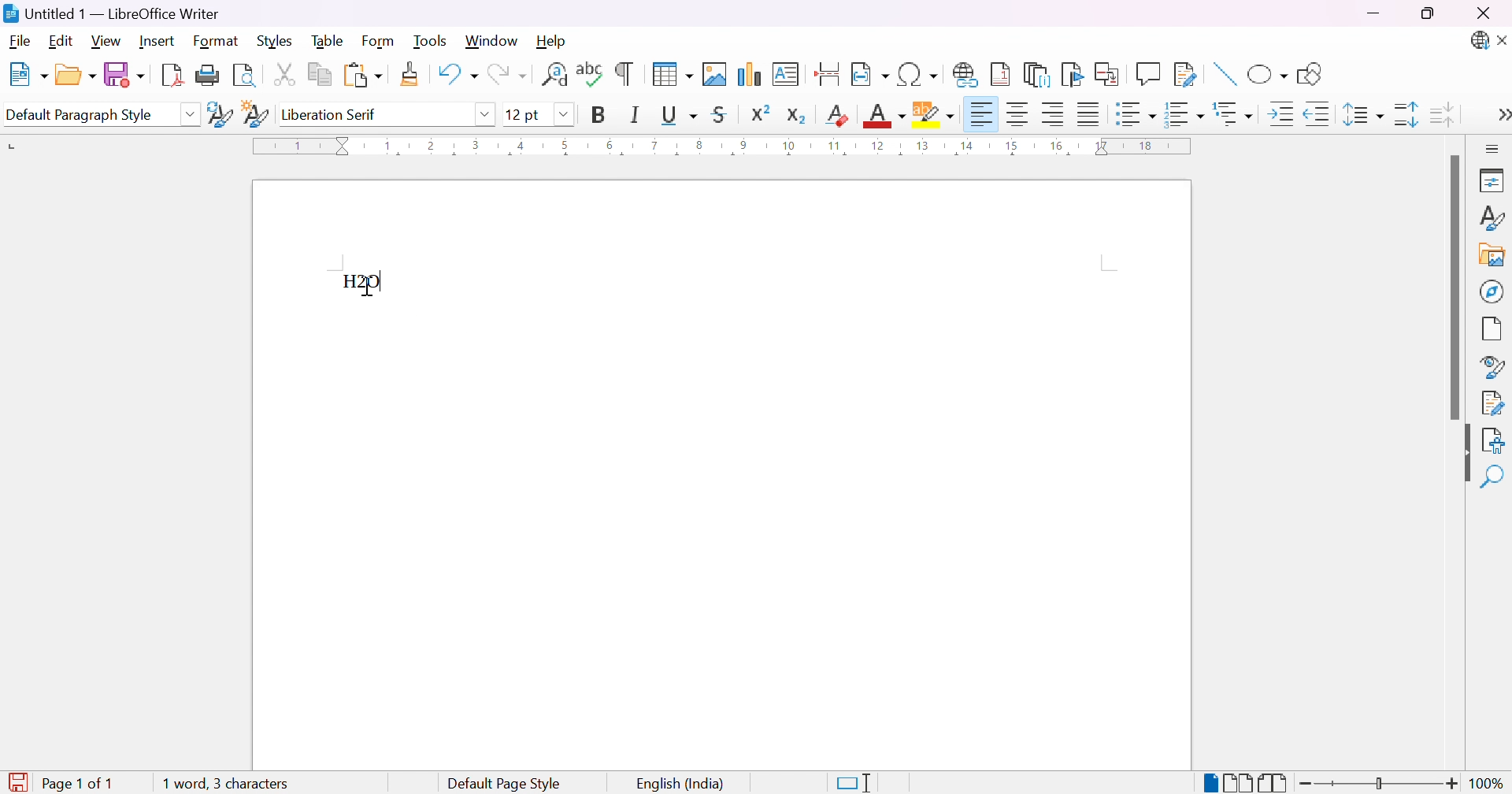  What do you see at coordinates (328, 39) in the screenshot?
I see `Table` at bounding box center [328, 39].